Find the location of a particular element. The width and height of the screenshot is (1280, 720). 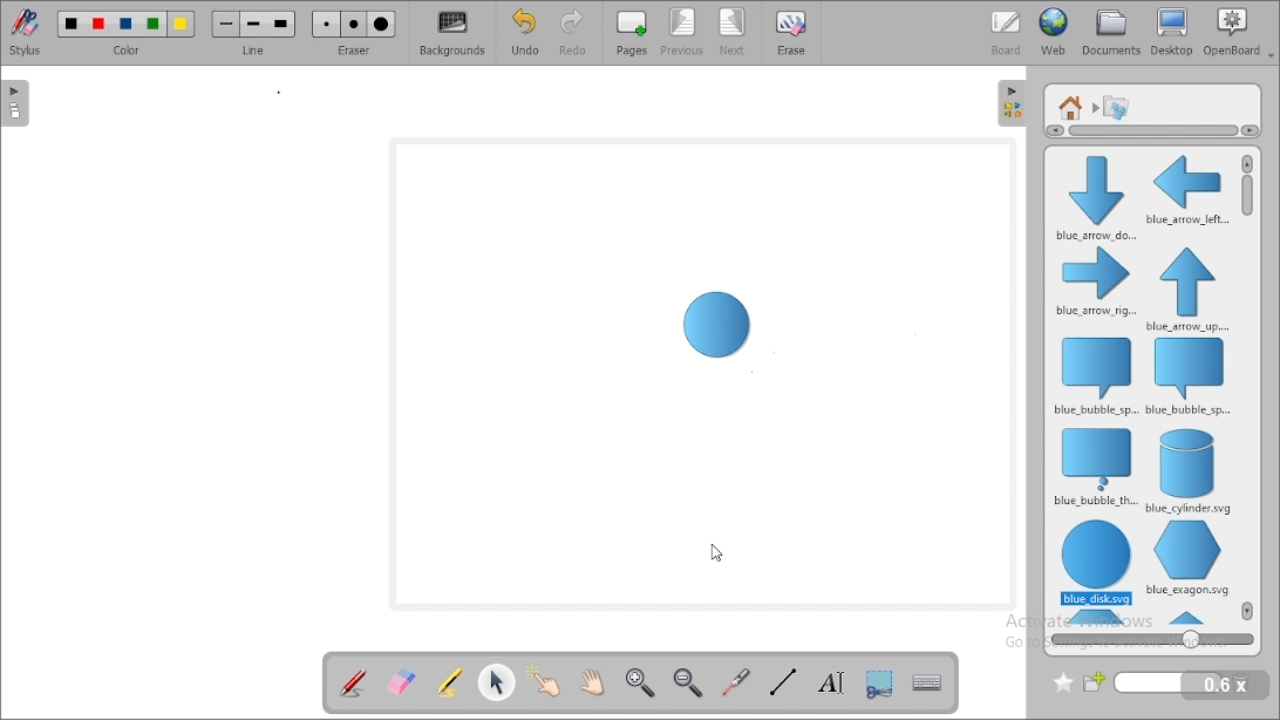

documents is located at coordinates (1112, 32).